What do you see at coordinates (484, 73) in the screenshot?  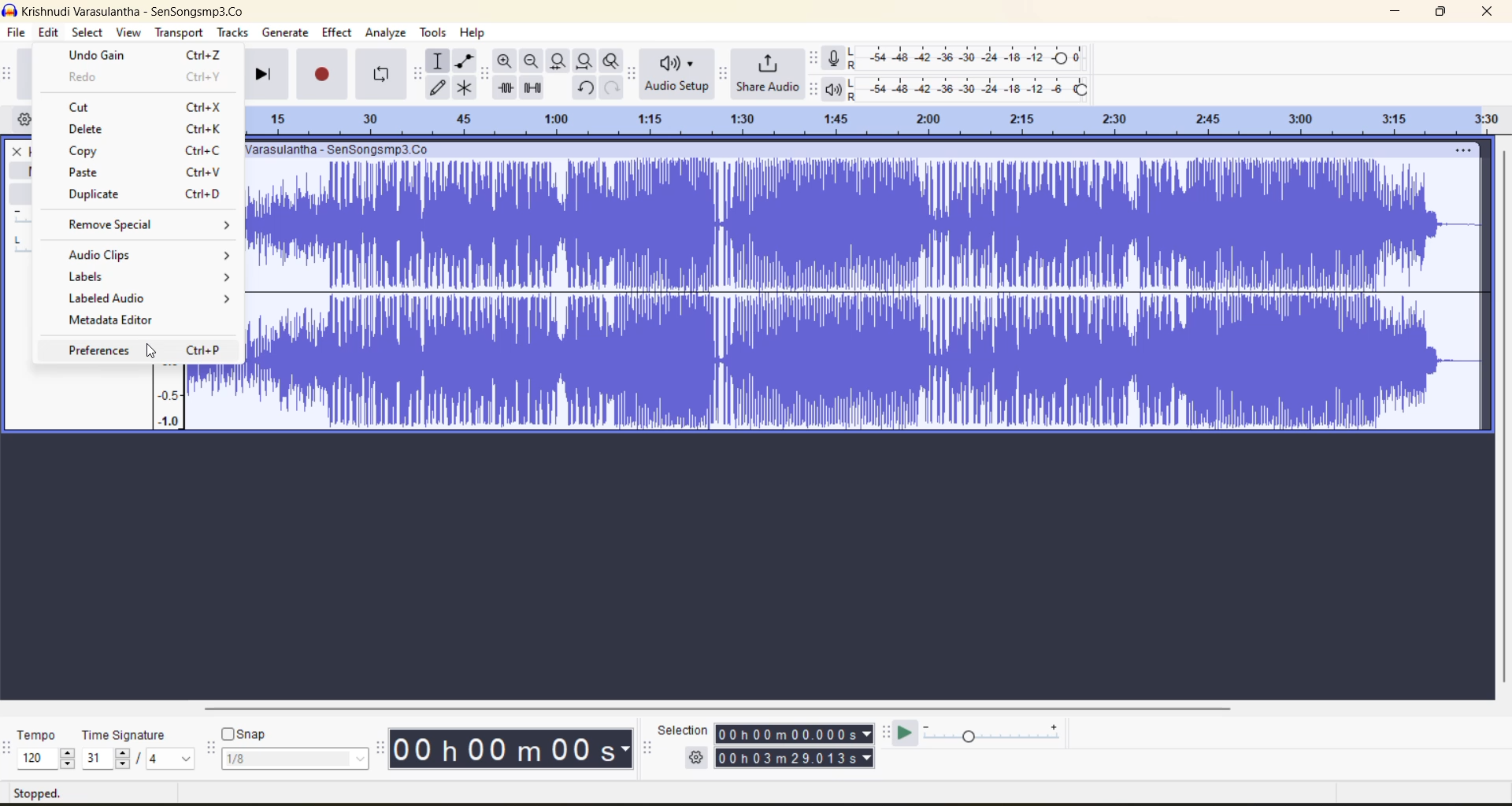 I see `edit tool bar` at bounding box center [484, 73].